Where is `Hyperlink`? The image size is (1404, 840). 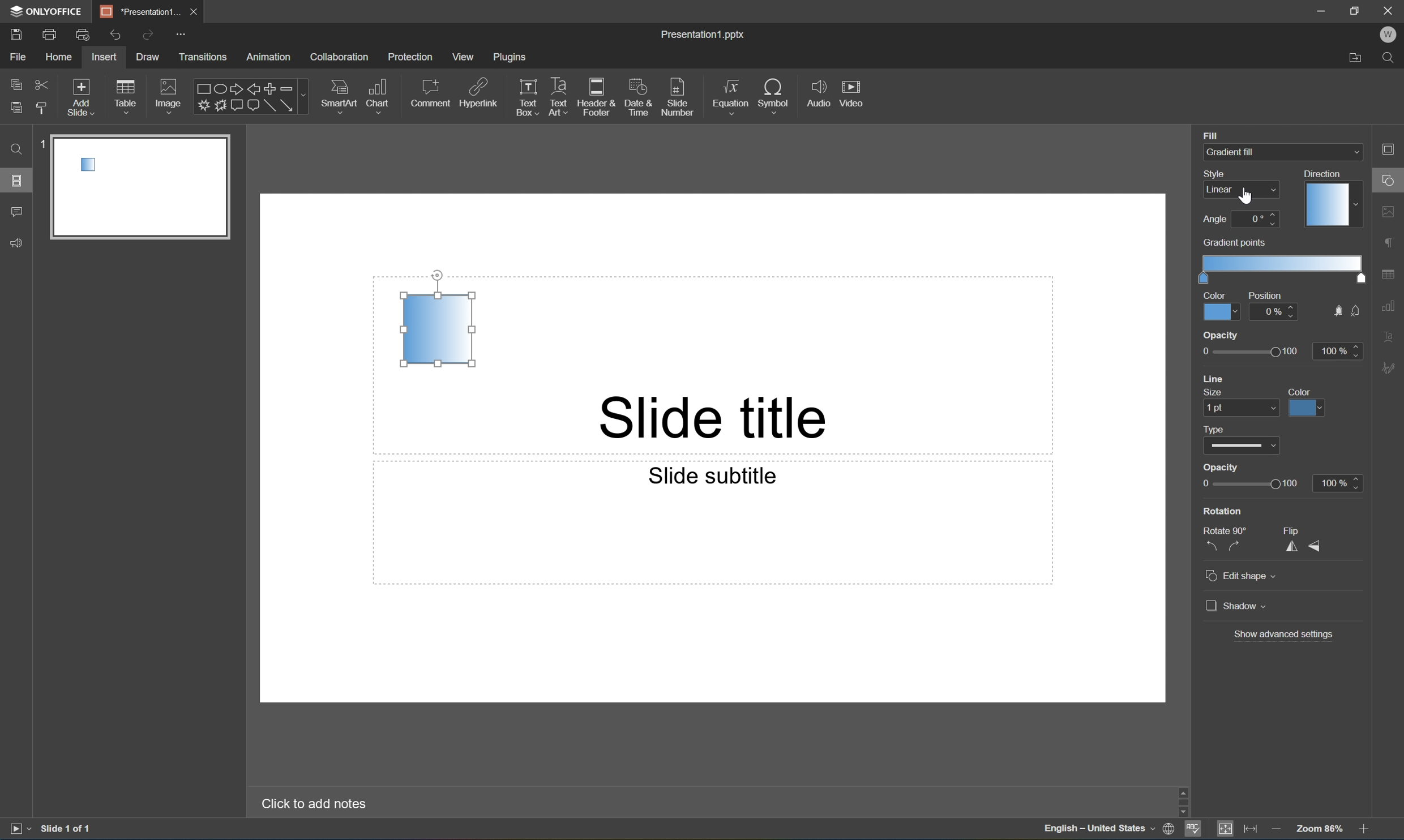
Hyperlink is located at coordinates (479, 91).